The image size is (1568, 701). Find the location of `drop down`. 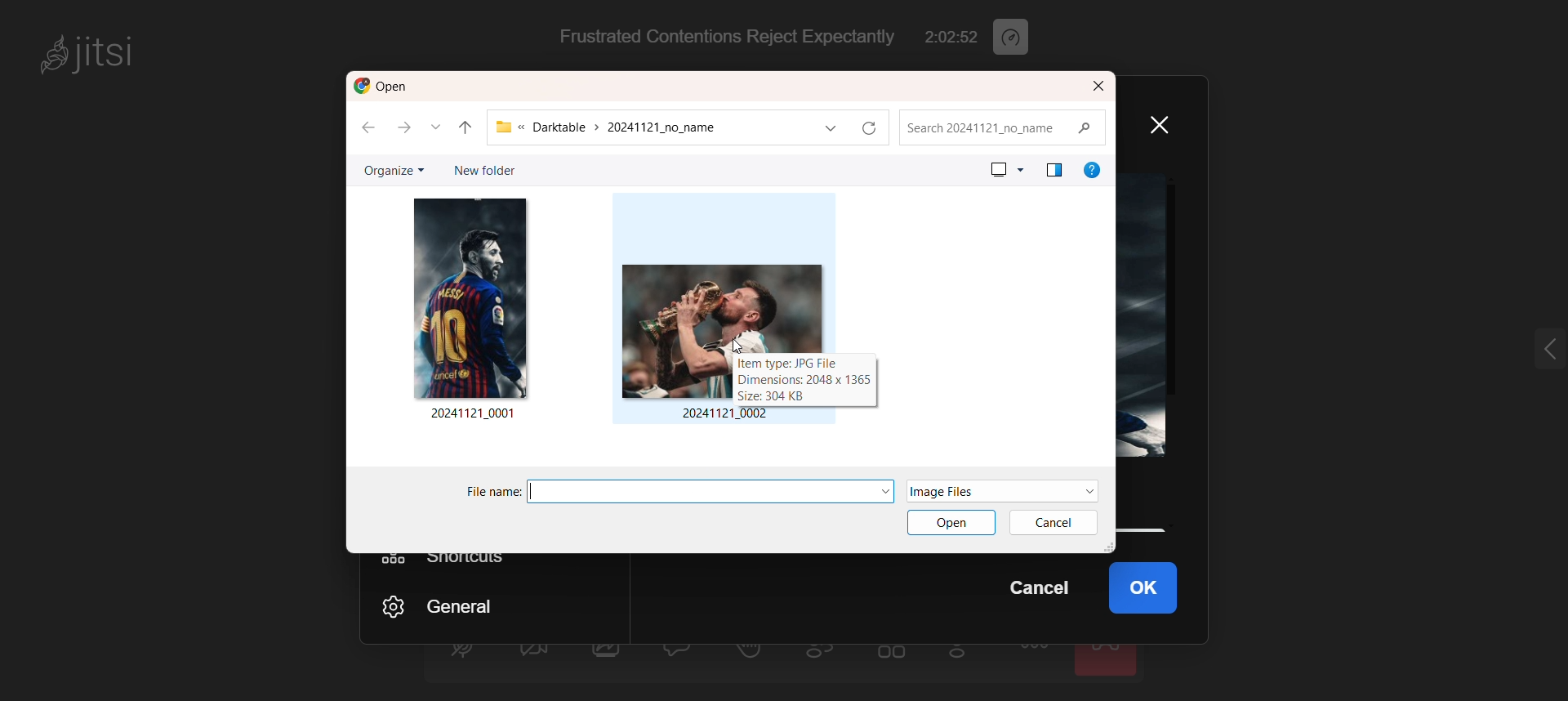

drop down is located at coordinates (439, 128).